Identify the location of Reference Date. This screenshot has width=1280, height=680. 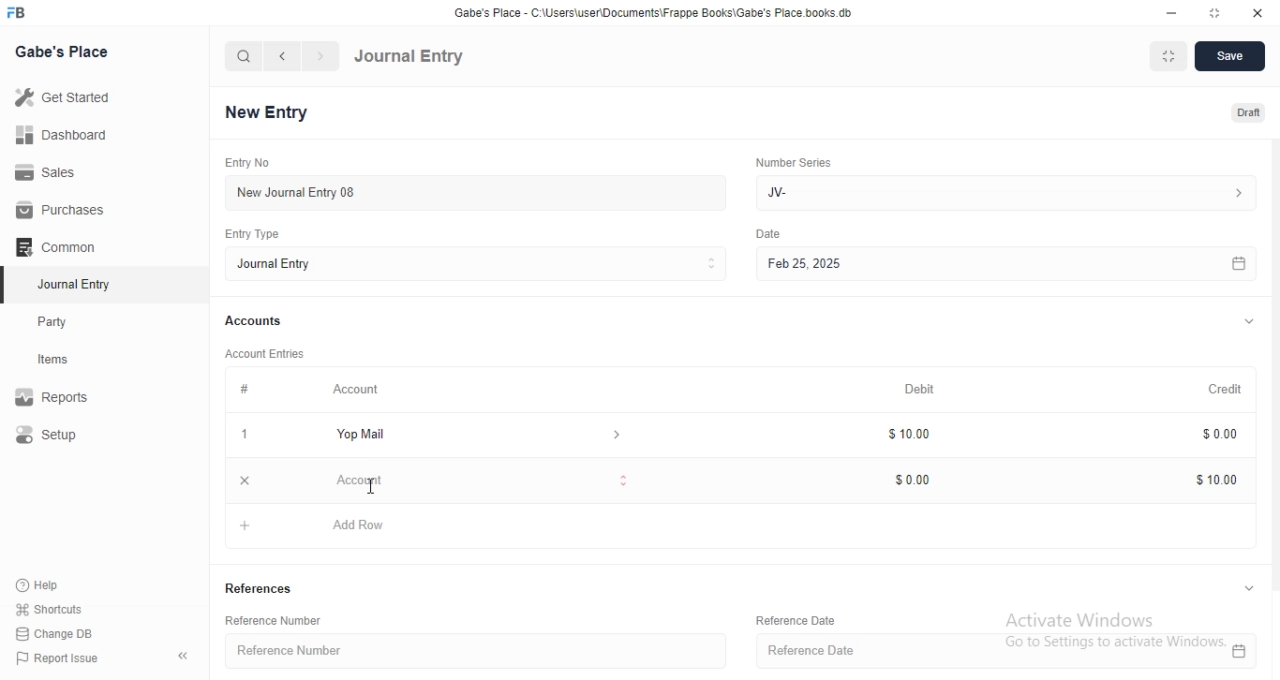
(1004, 648).